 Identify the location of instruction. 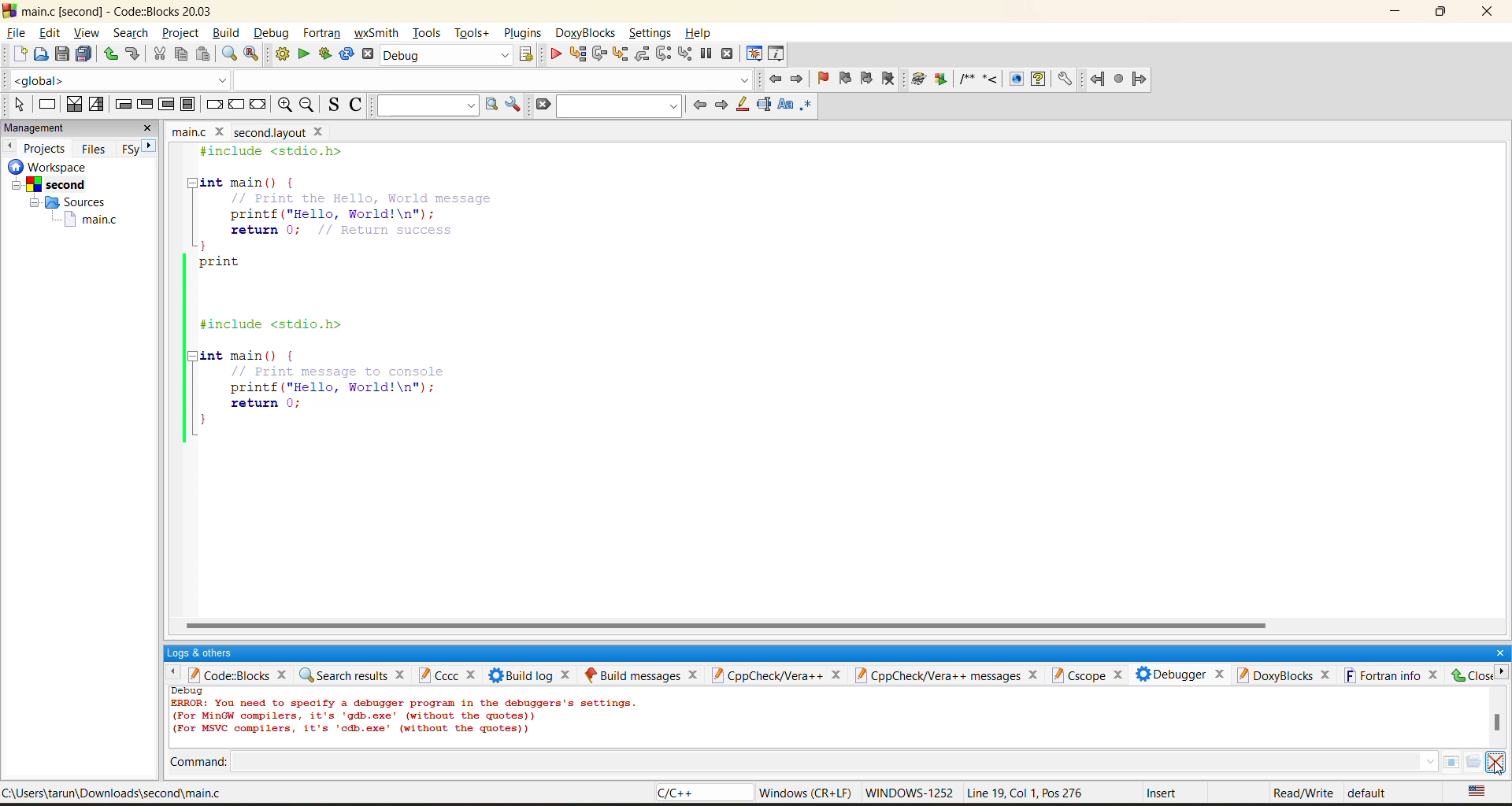
(46, 105).